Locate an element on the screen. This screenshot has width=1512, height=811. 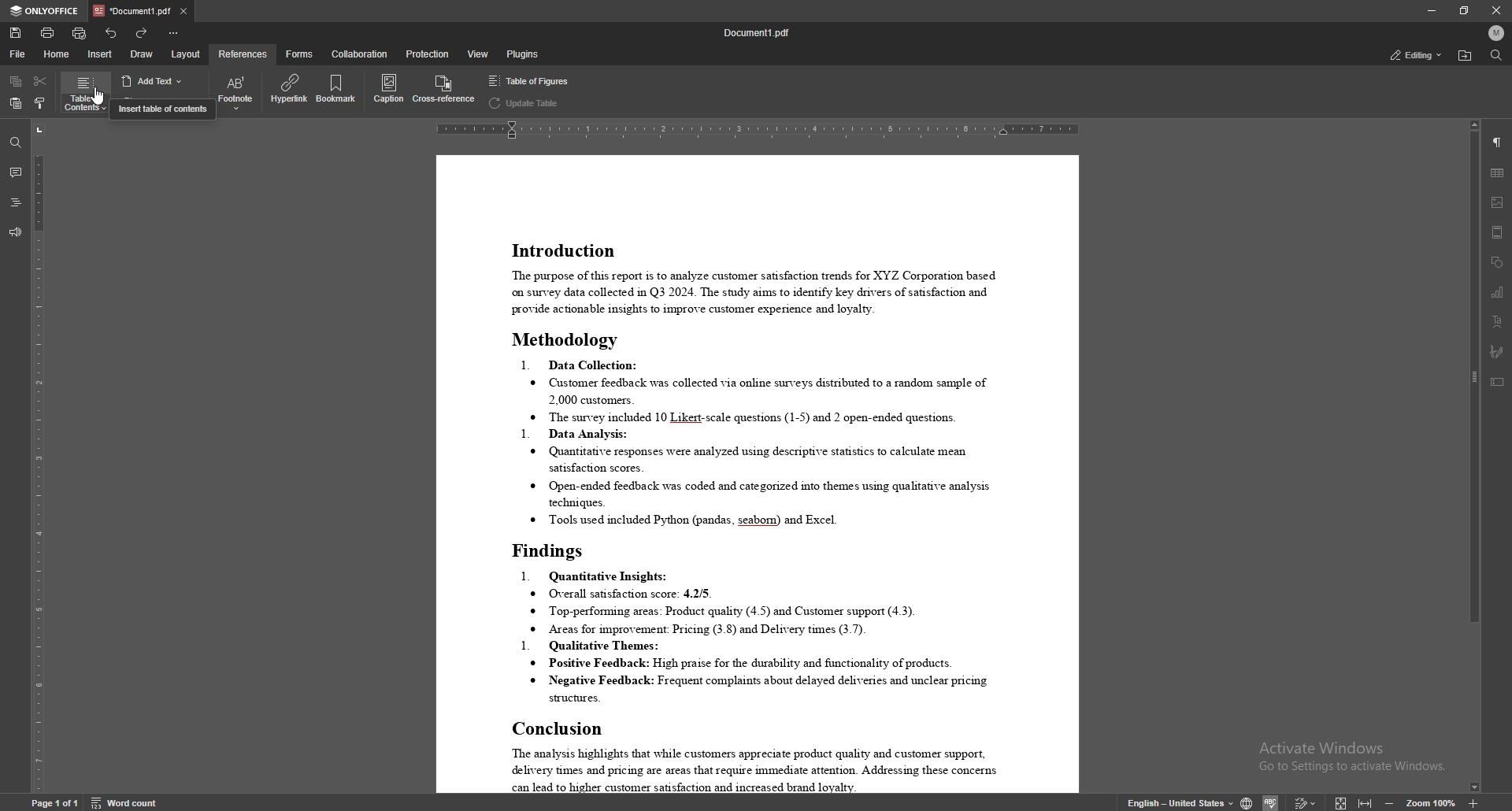
english - United states is located at coordinates (1181, 803).